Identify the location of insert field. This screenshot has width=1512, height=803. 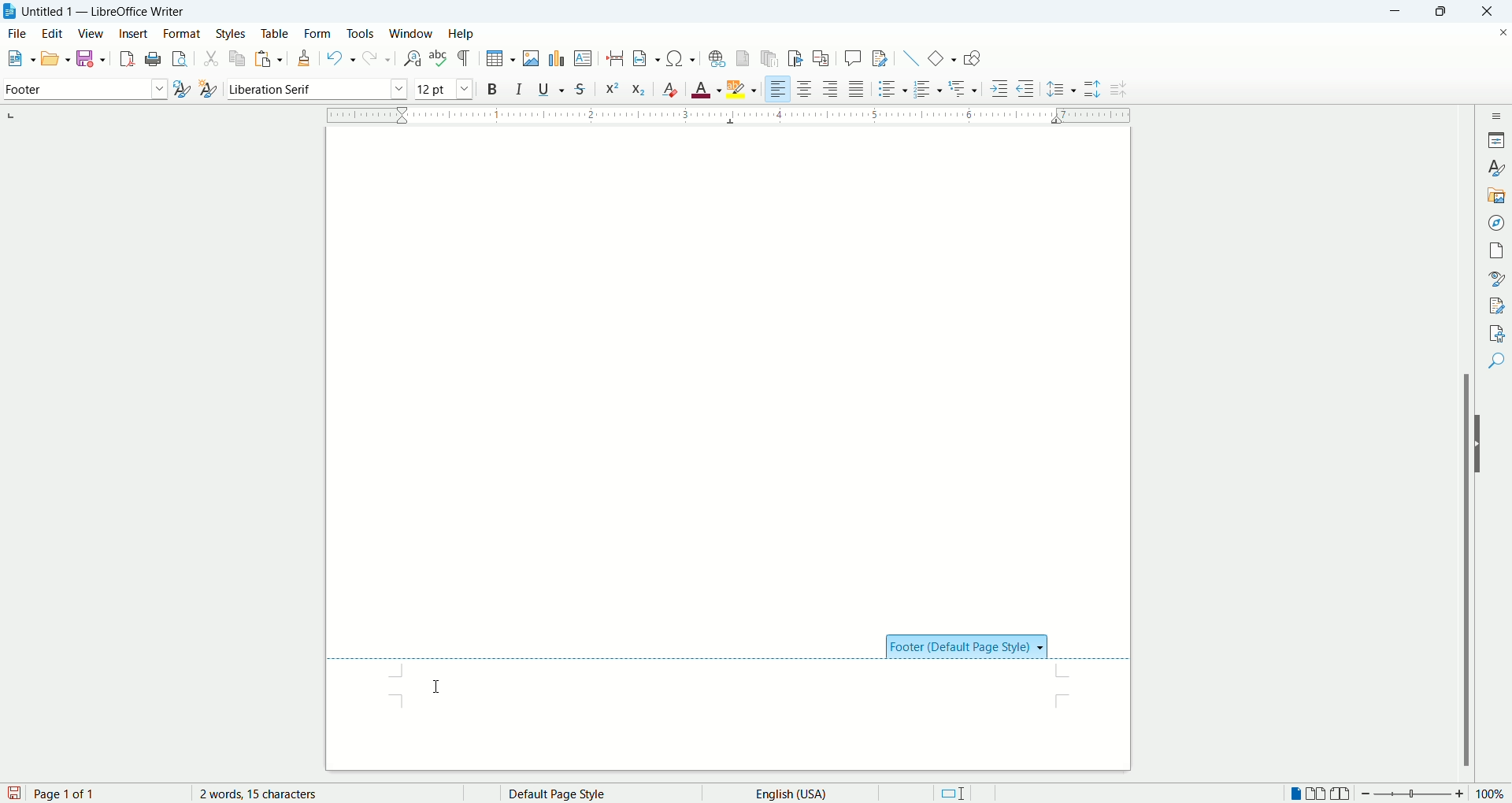
(646, 59).